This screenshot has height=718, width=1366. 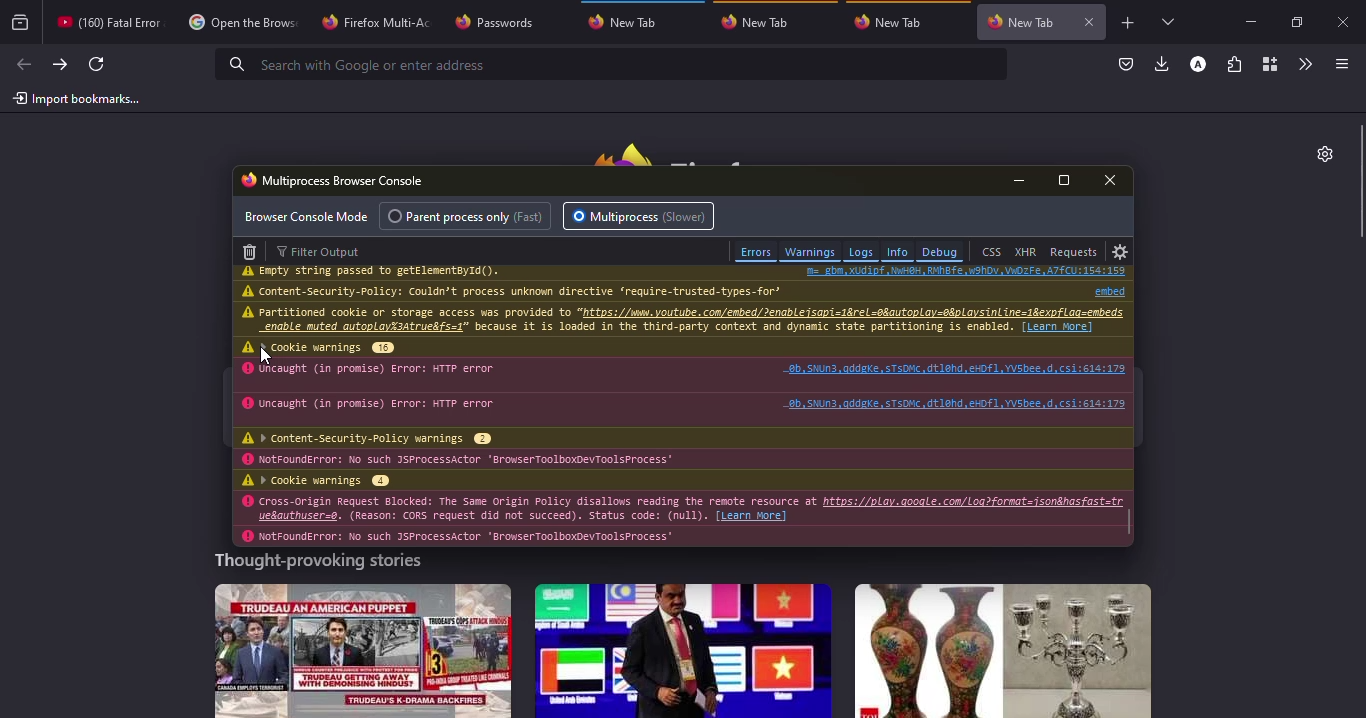 I want to click on warning, so click(x=248, y=312).